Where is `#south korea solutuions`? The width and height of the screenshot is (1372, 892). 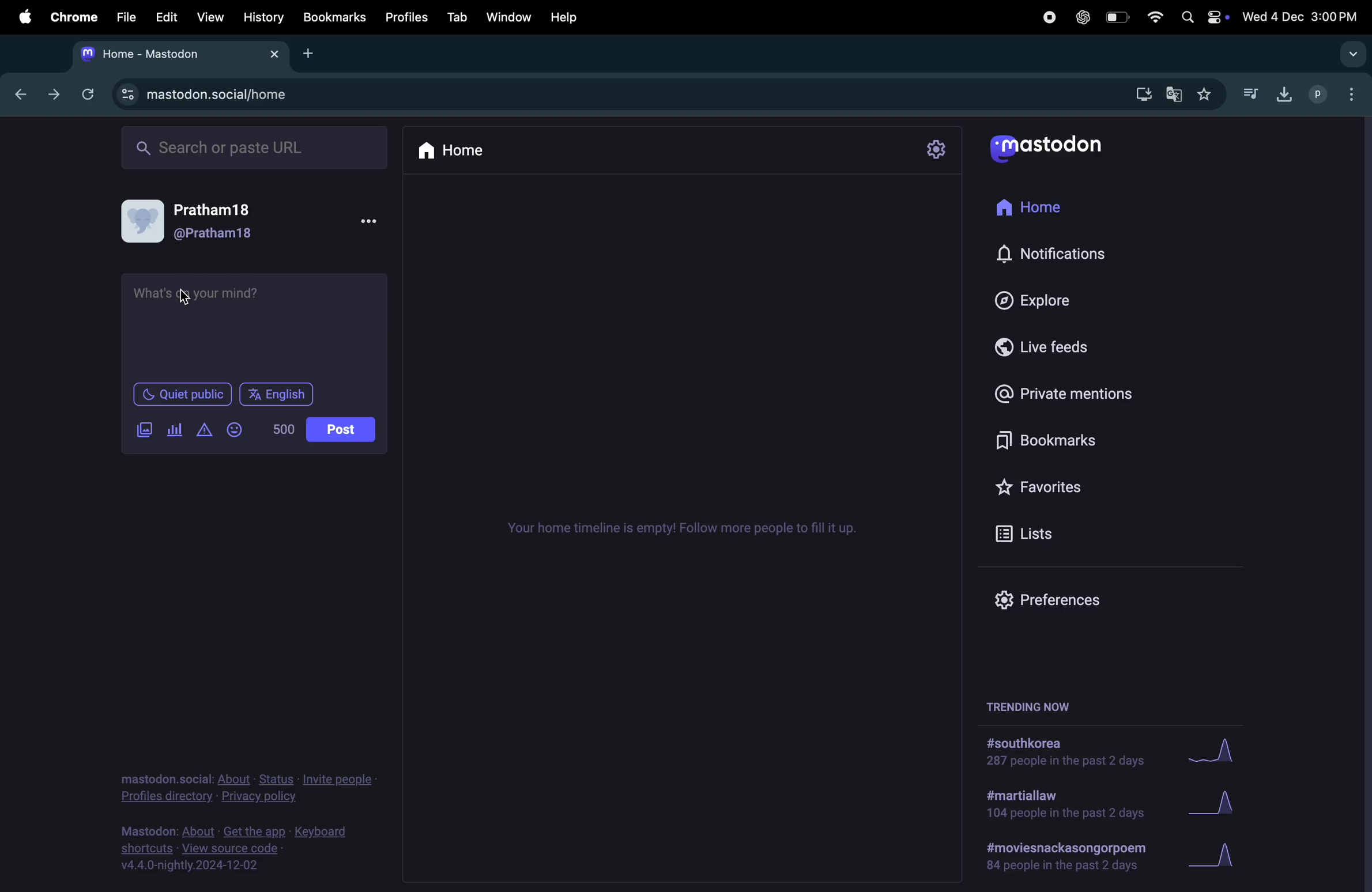 #south korea solutuions is located at coordinates (1071, 754).